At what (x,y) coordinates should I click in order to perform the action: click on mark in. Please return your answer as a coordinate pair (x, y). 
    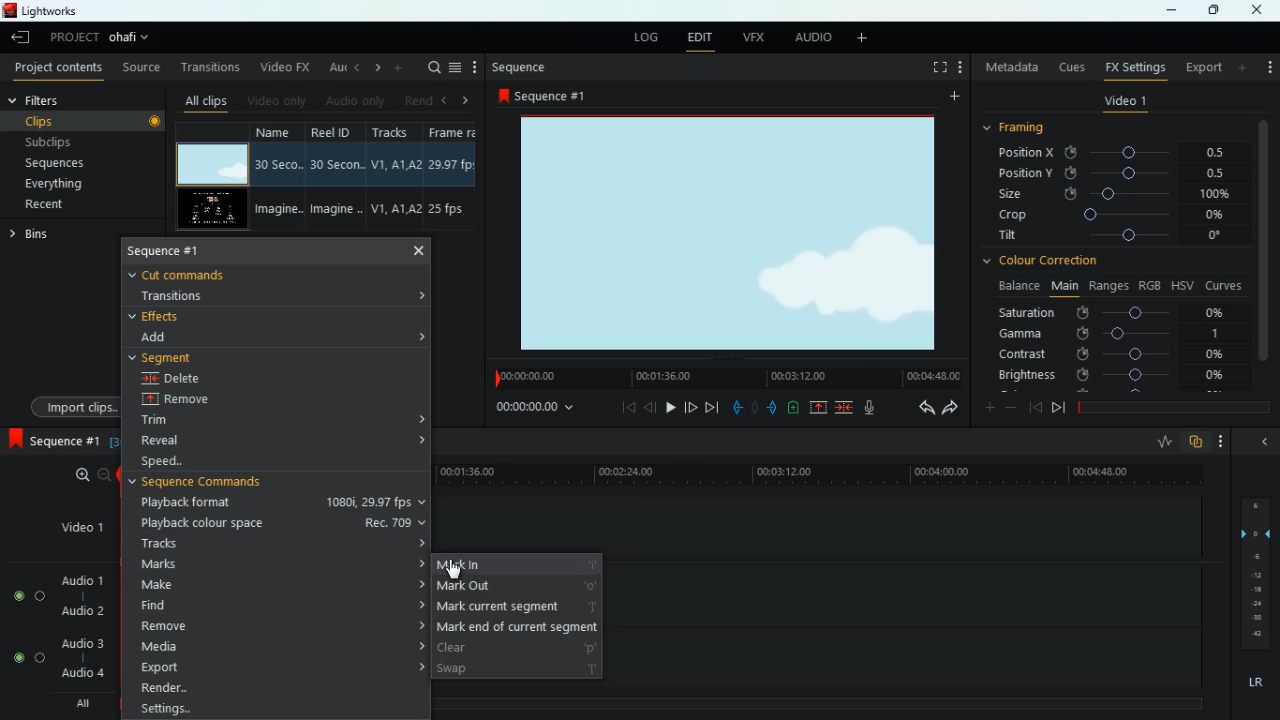
    Looking at the image, I should click on (518, 563).